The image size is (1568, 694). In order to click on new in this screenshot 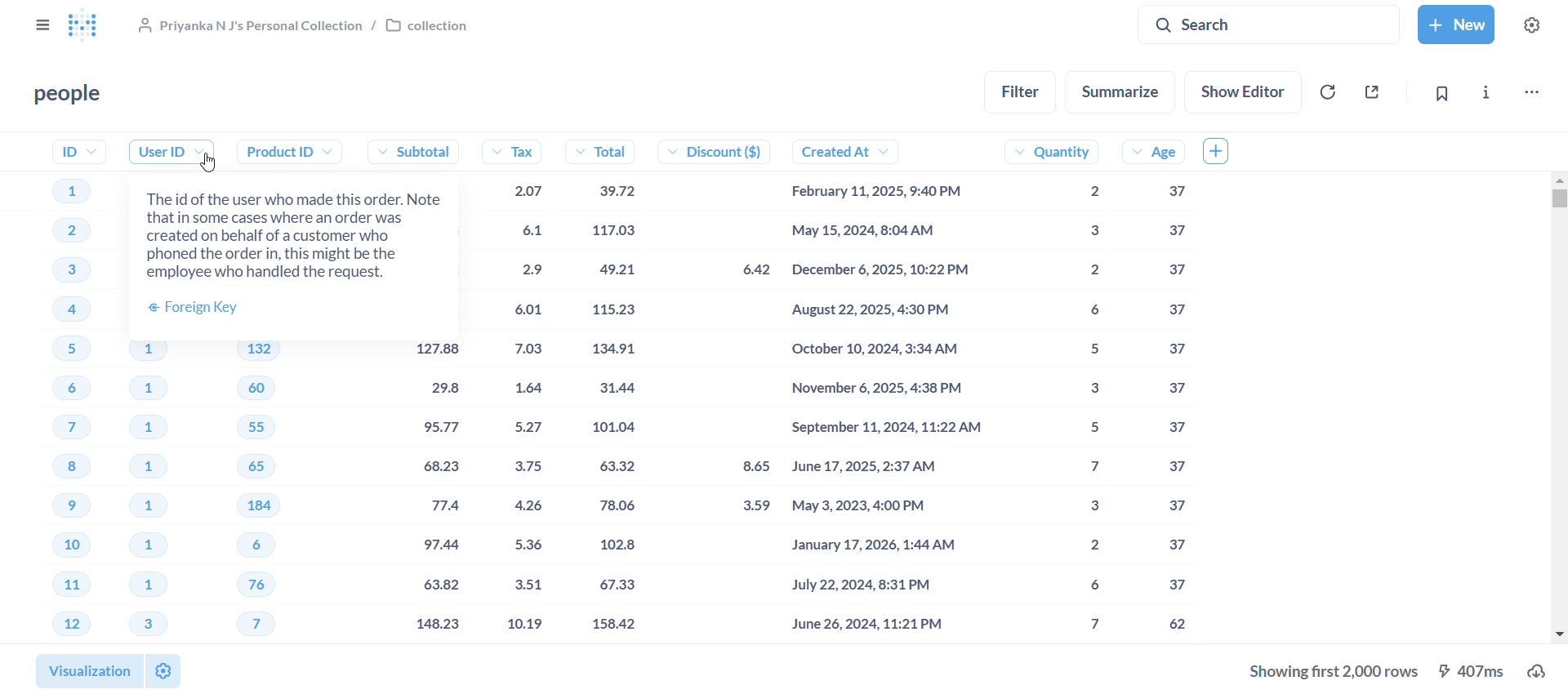, I will do `click(1457, 24)`.